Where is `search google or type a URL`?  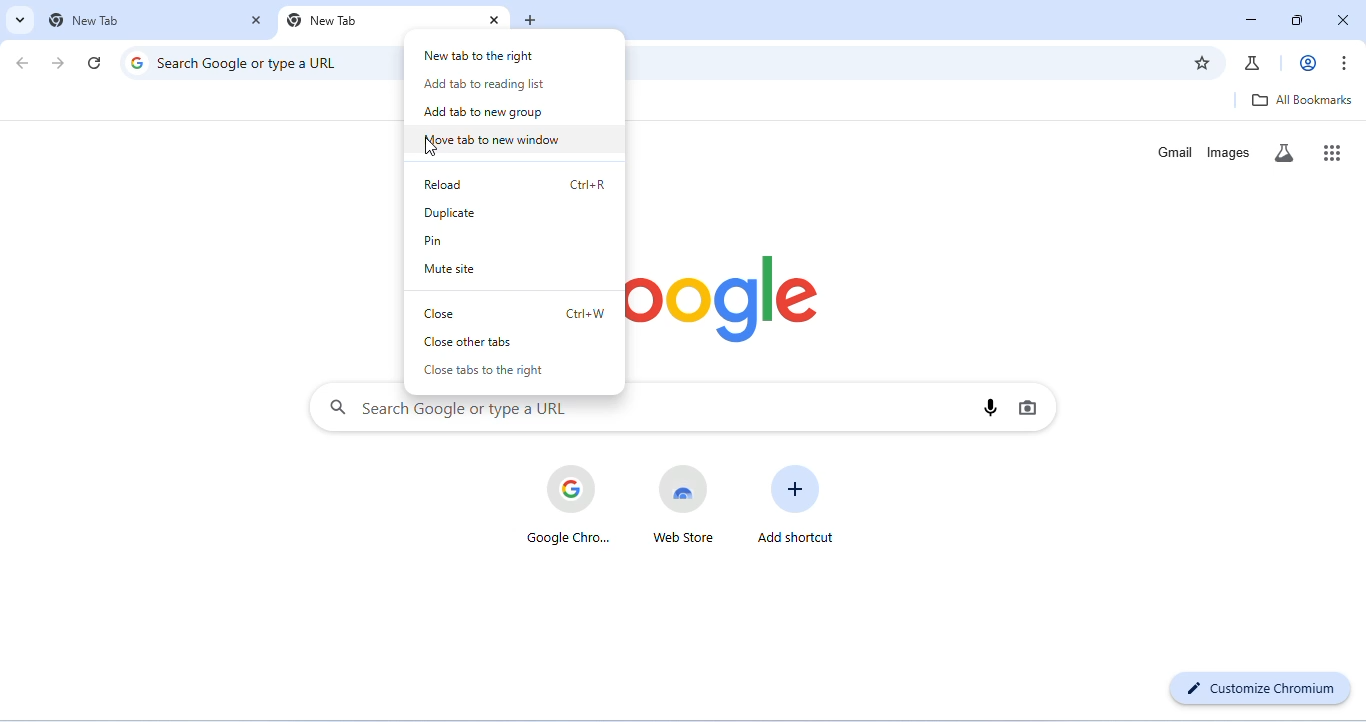 search google or type a URL is located at coordinates (448, 411).